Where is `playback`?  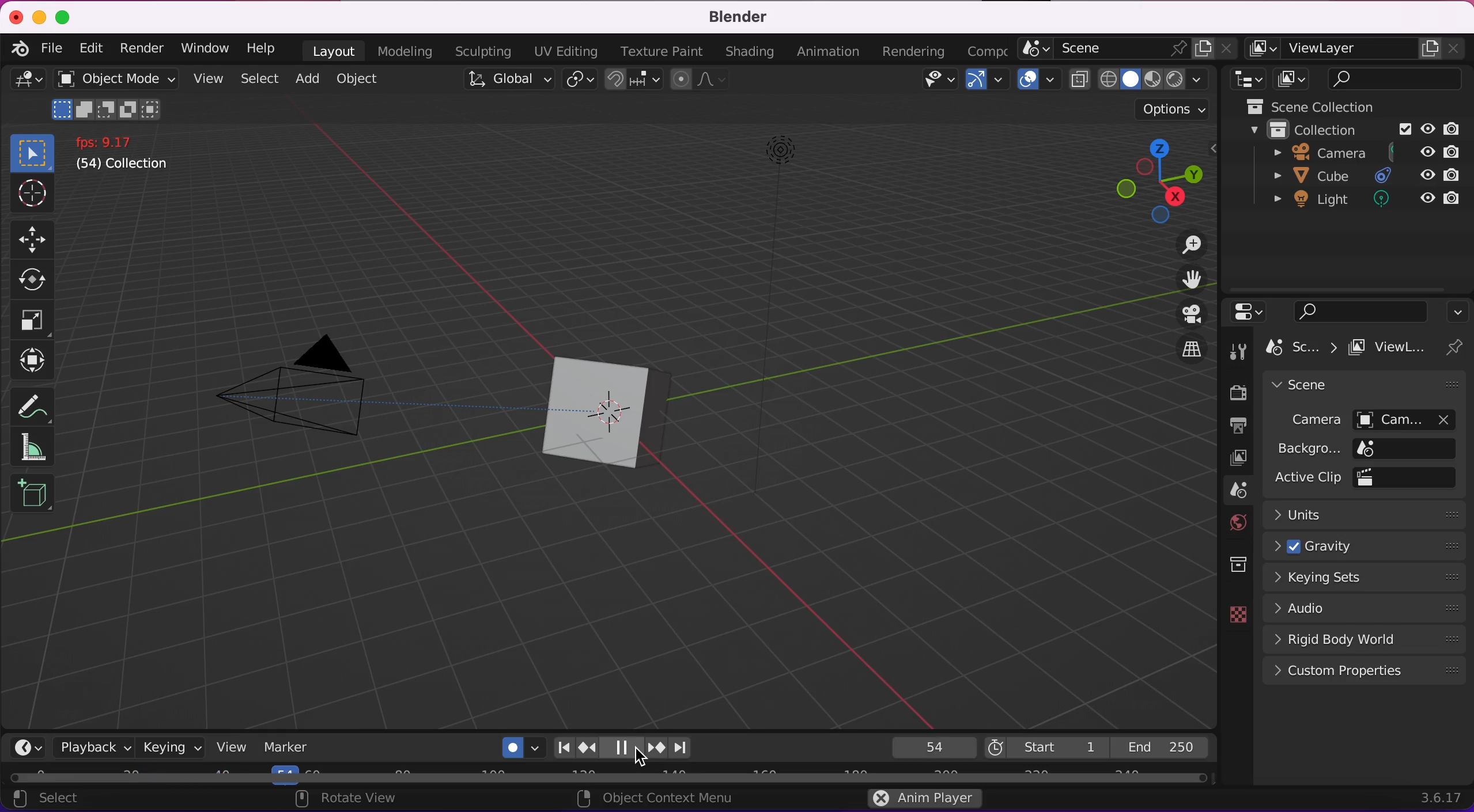
playback is located at coordinates (95, 748).